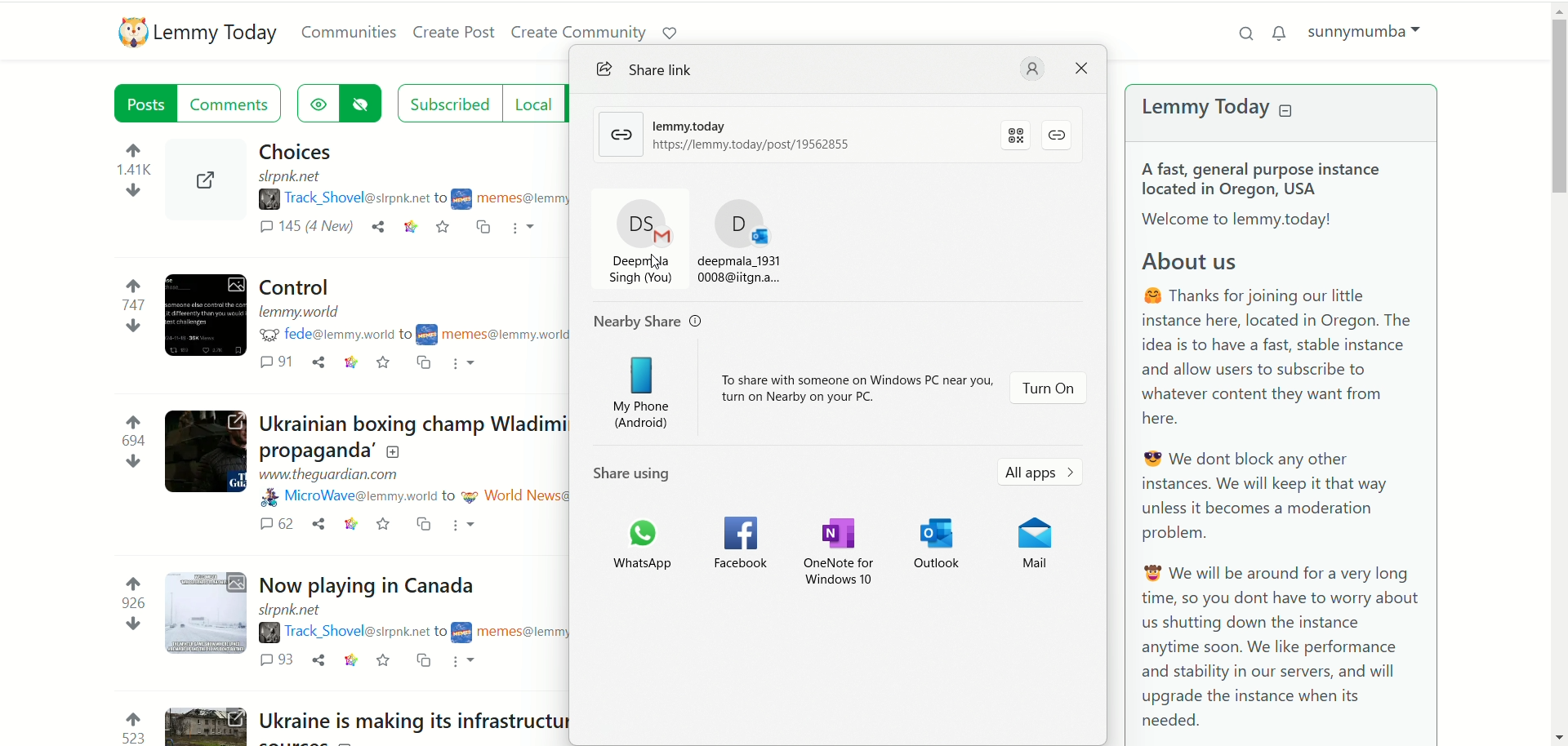 Image resolution: width=1568 pixels, height=746 pixels. Describe the element at coordinates (1239, 33) in the screenshot. I see `search` at that location.